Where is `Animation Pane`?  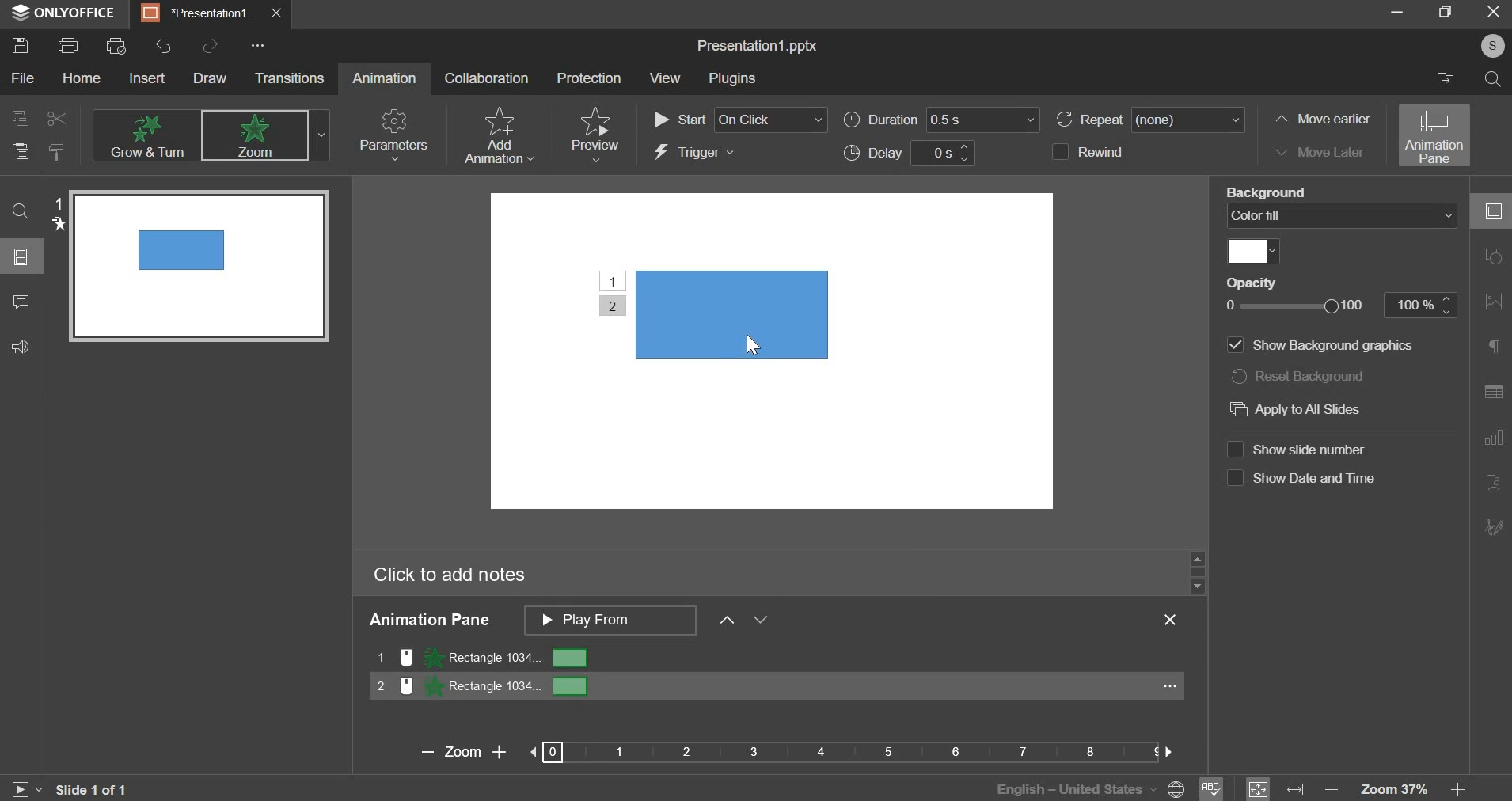
Animation Pane is located at coordinates (435, 622).